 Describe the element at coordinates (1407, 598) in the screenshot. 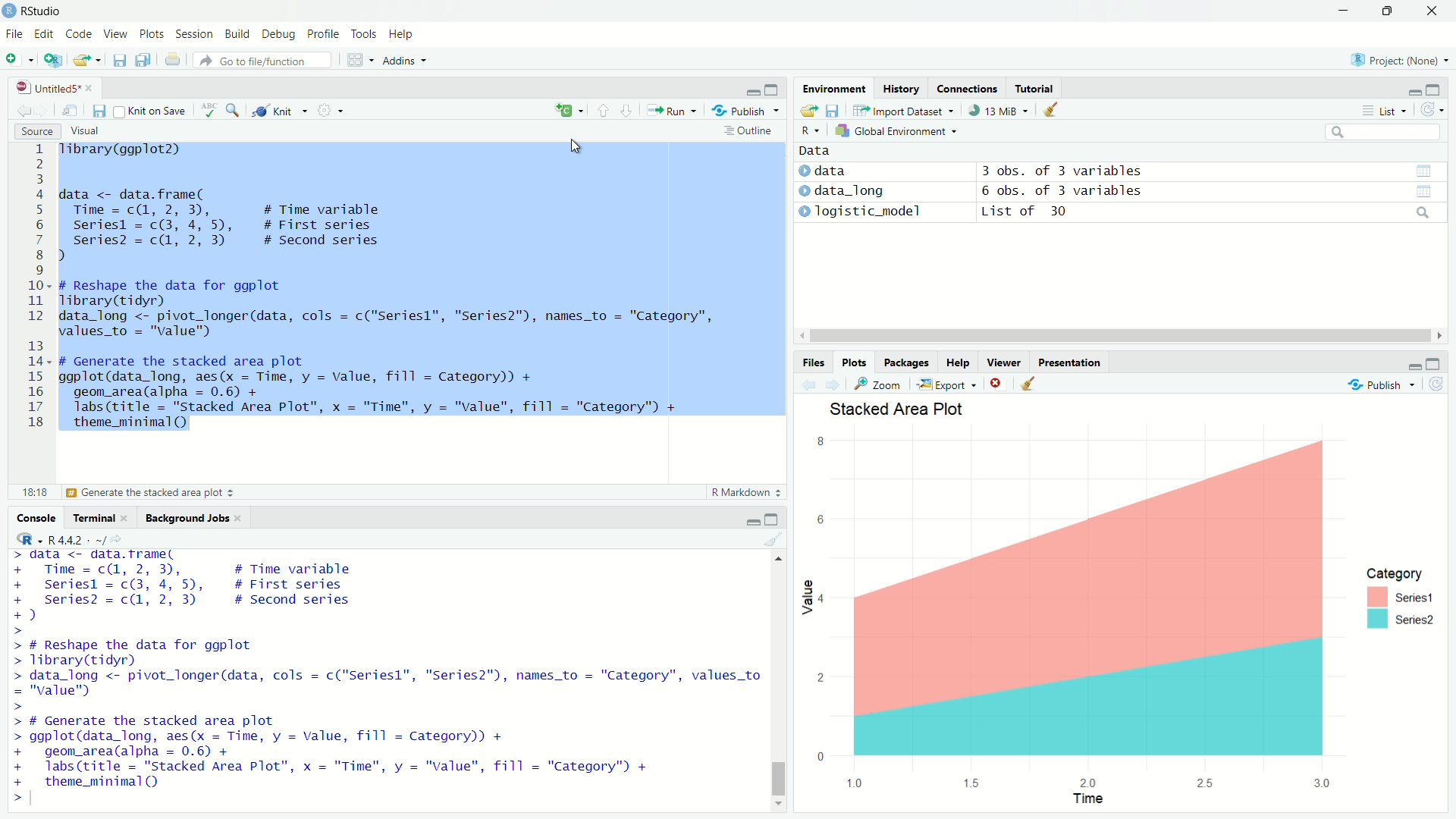

I see `Category
[1 series
I series` at that location.